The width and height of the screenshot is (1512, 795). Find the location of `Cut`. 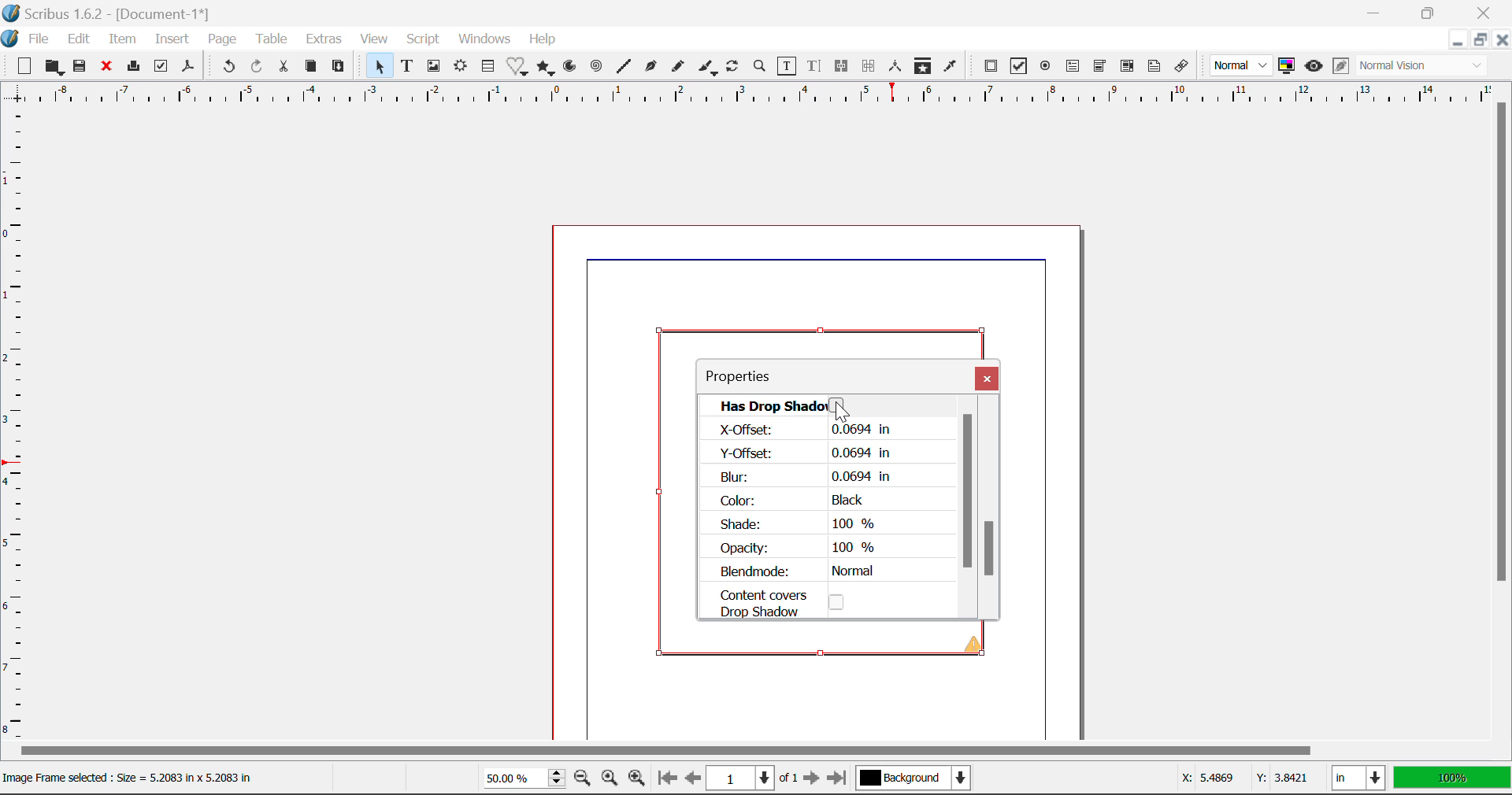

Cut is located at coordinates (283, 68).